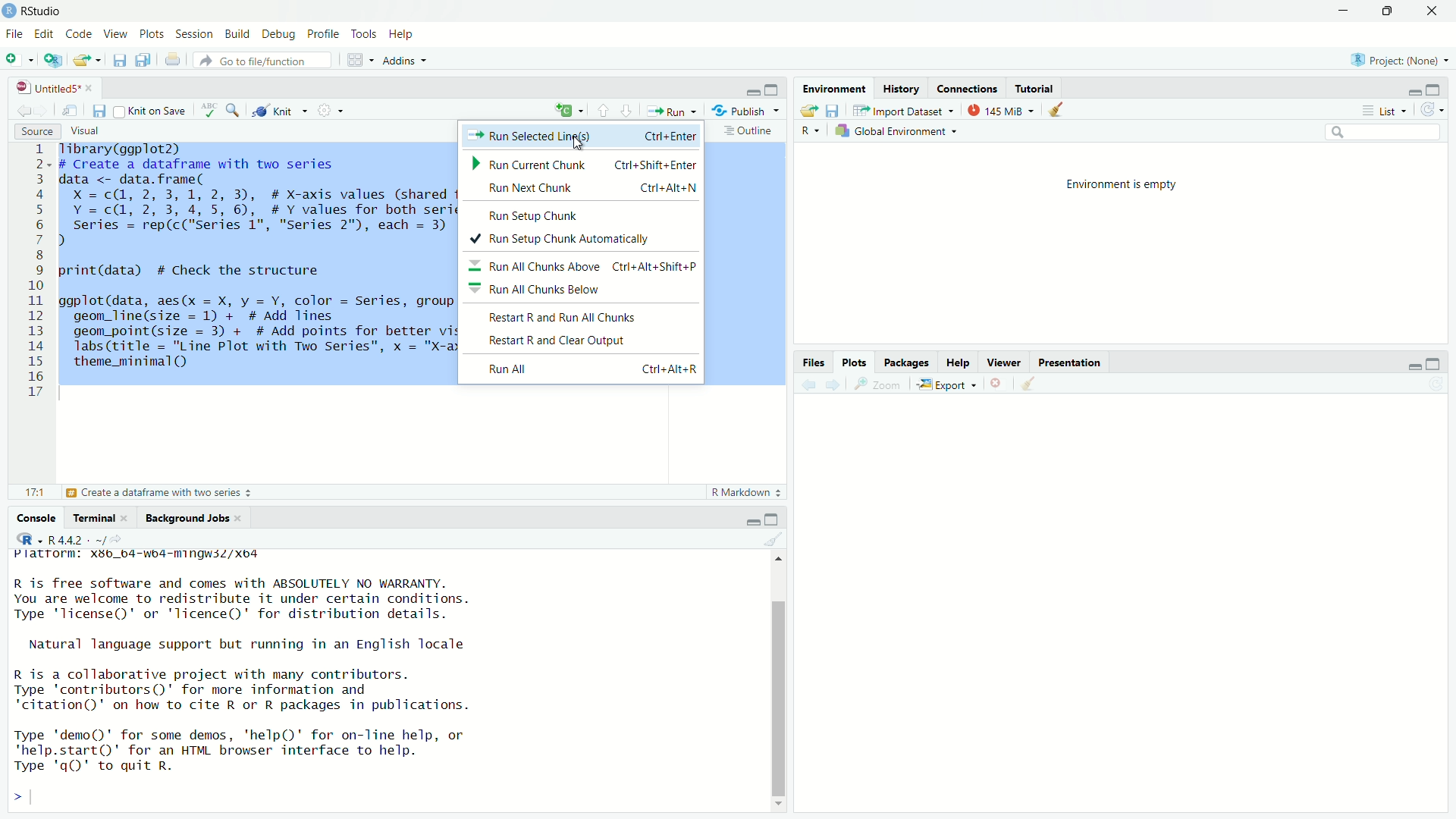 The width and height of the screenshot is (1456, 819). Describe the element at coordinates (746, 493) in the screenshot. I see `R Markdown` at that location.